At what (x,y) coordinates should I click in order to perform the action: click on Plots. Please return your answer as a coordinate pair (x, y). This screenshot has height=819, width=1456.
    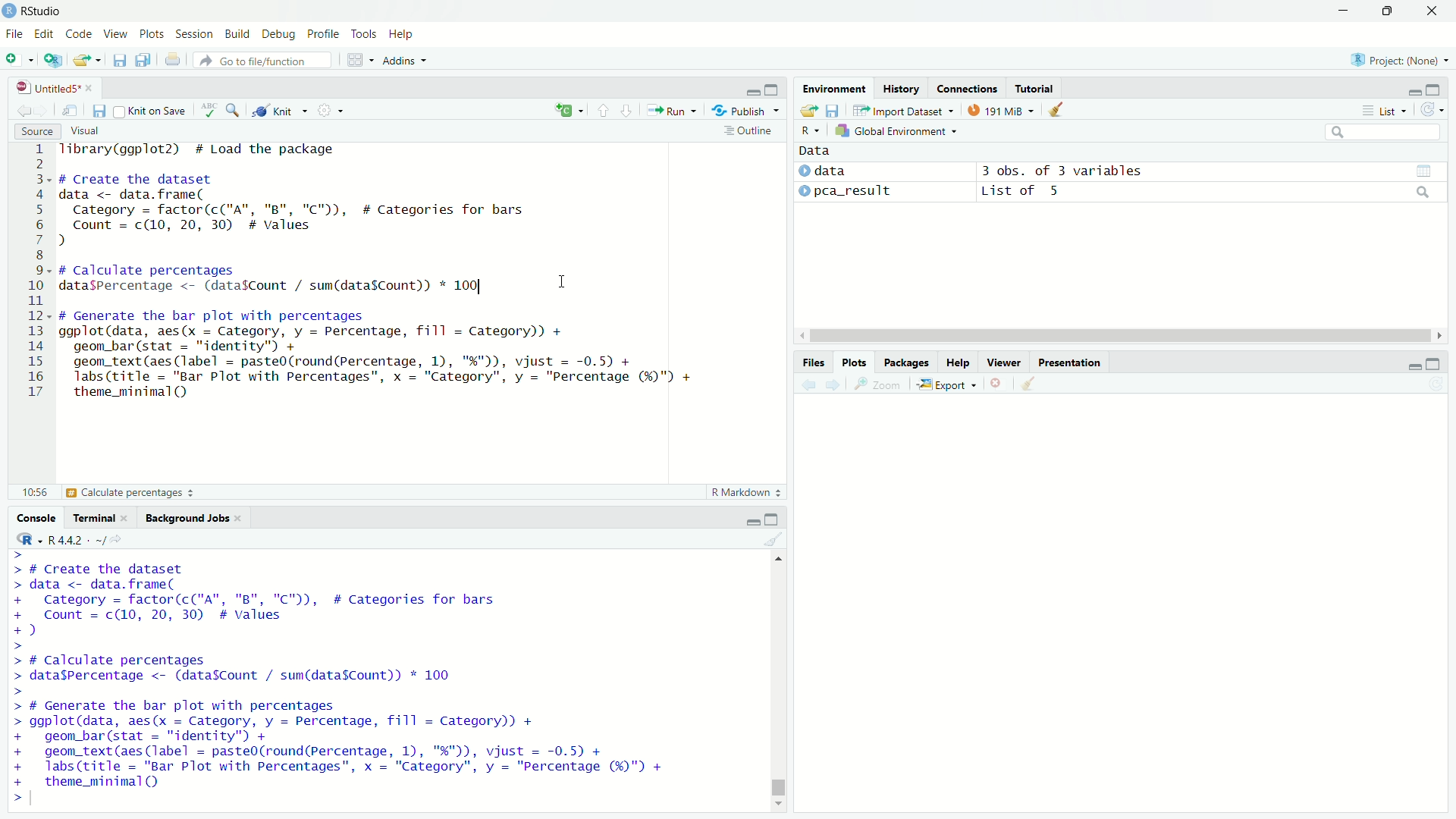
    Looking at the image, I should click on (854, 362).